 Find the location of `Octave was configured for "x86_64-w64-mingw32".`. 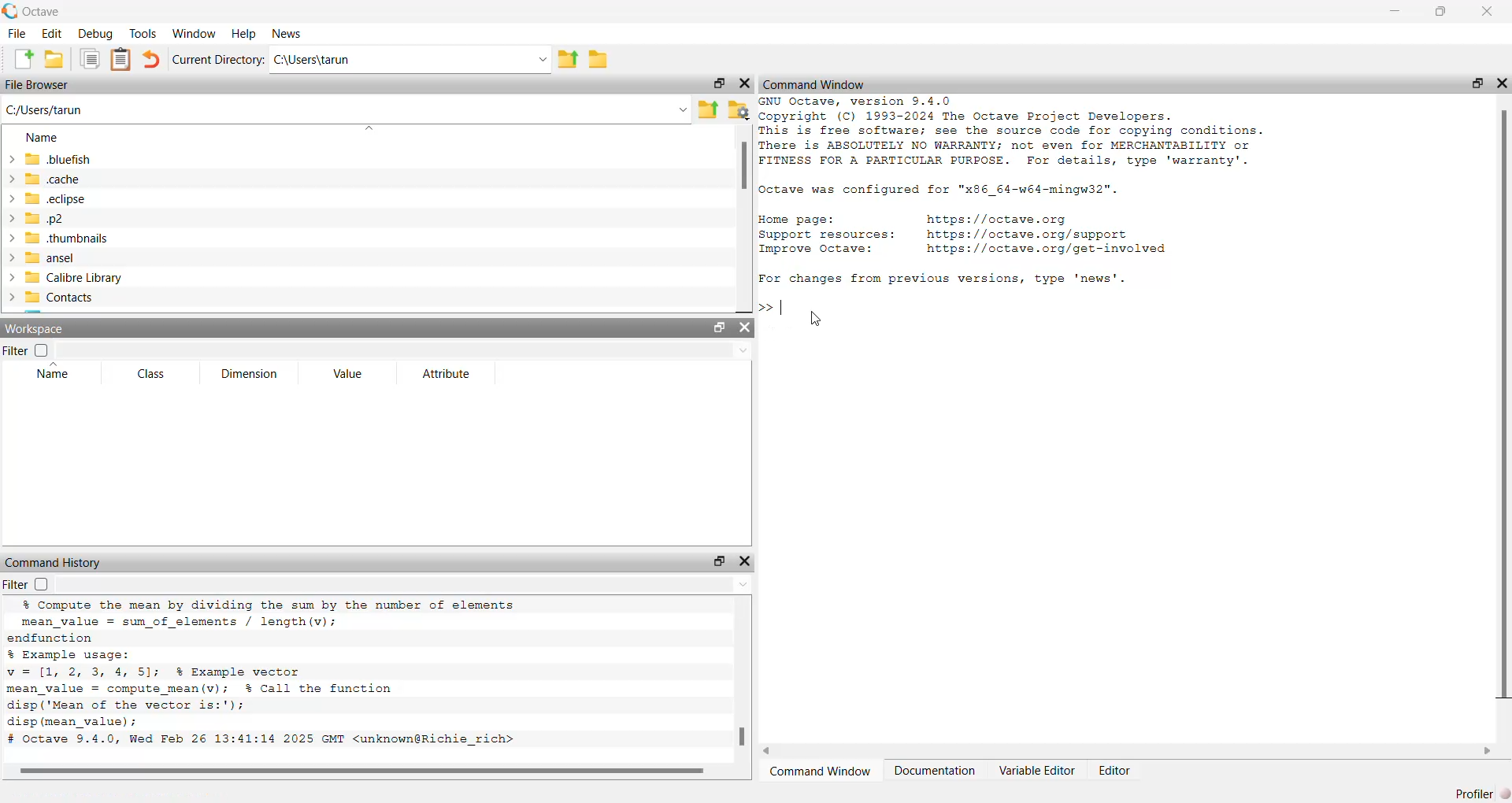

Octave was configured for "x86_64-w64-mingw32". is located at coordinates (940, 191).